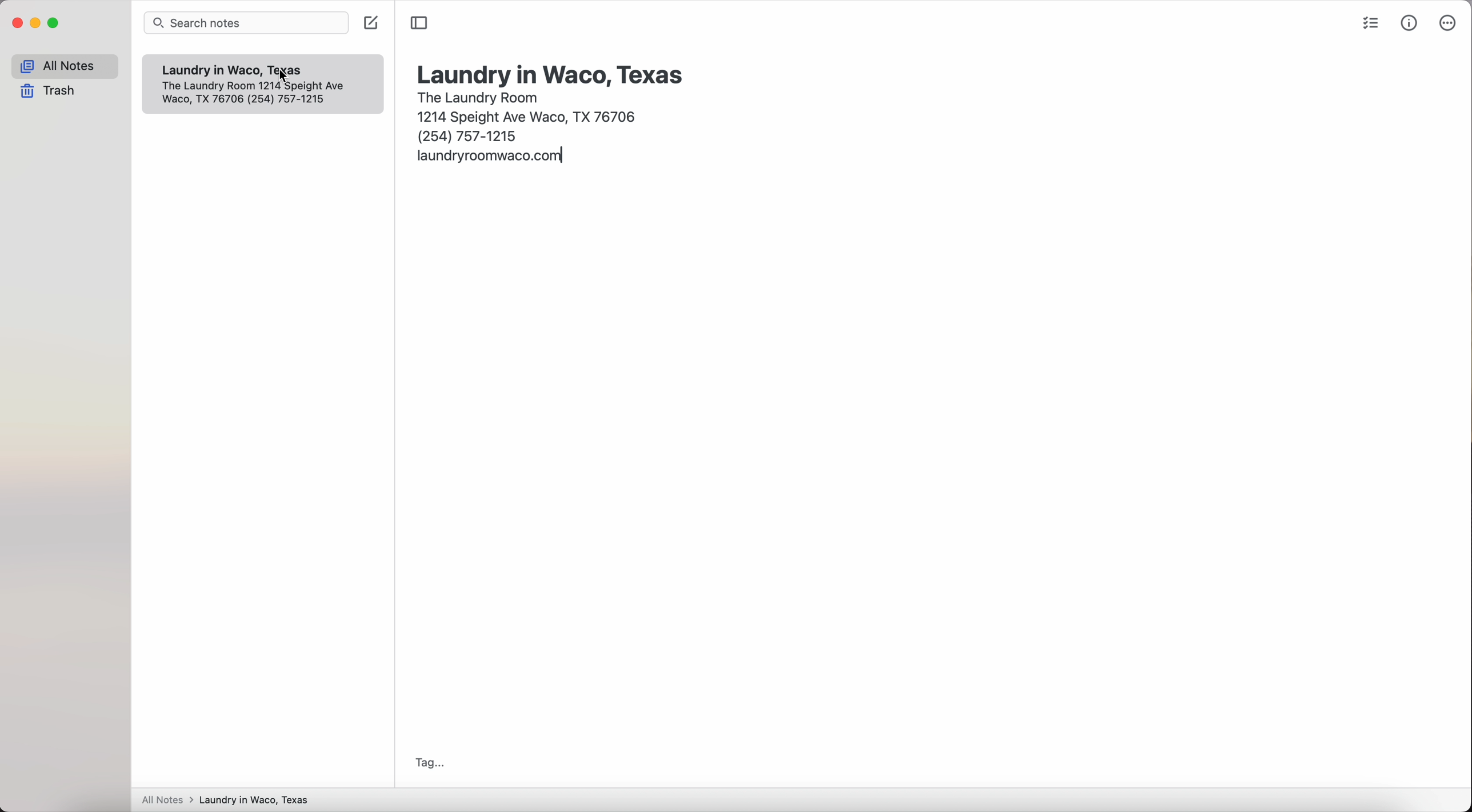 Image resolution: width=1472 pixels, height=812 pixels. What do you see at coordinates (491, 158) in the screenshot?
I see `laundryroomwaco.com` at bounding box center [491, 158].